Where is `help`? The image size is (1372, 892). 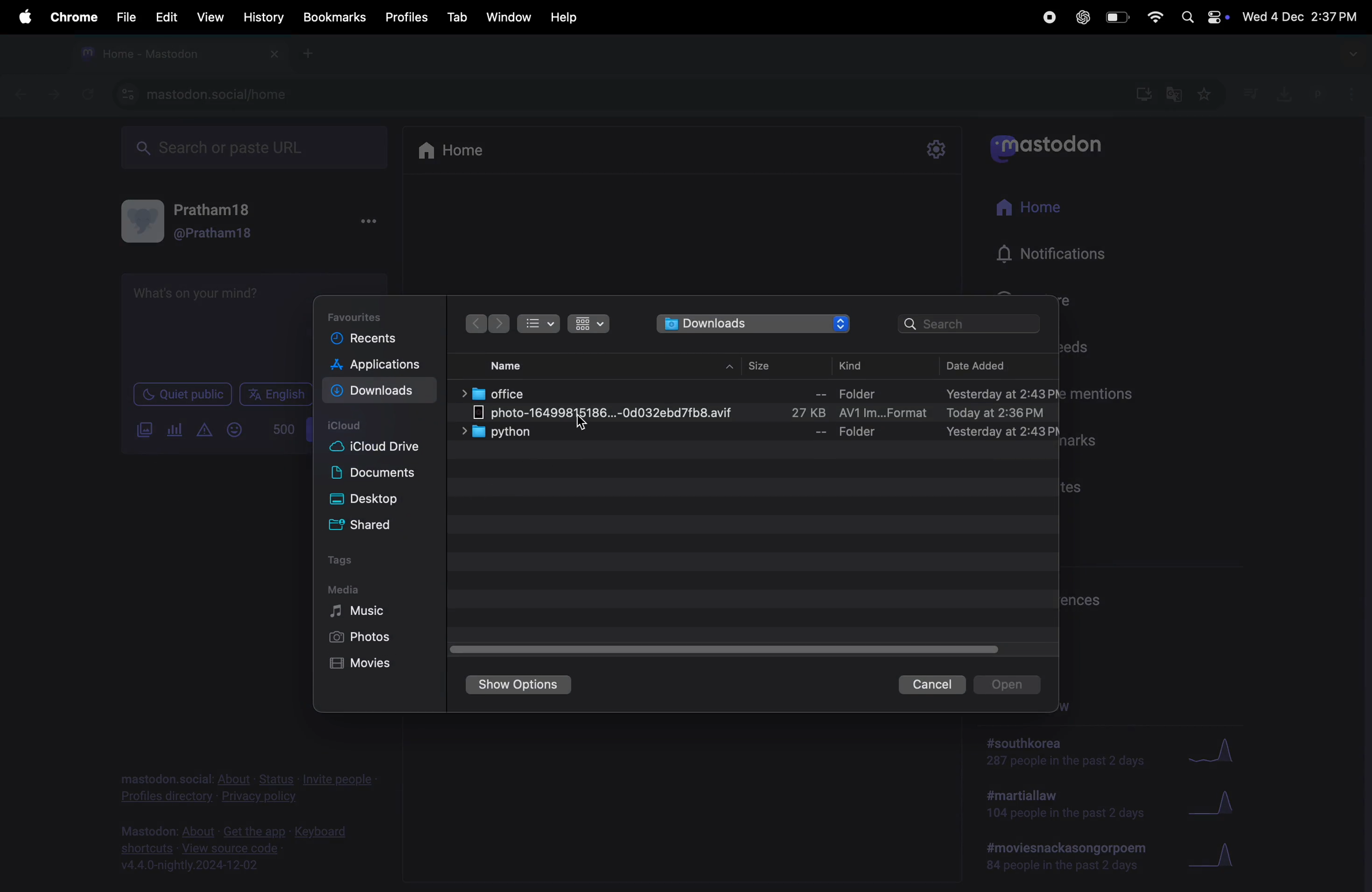 help is located at coordinates (563, 17).